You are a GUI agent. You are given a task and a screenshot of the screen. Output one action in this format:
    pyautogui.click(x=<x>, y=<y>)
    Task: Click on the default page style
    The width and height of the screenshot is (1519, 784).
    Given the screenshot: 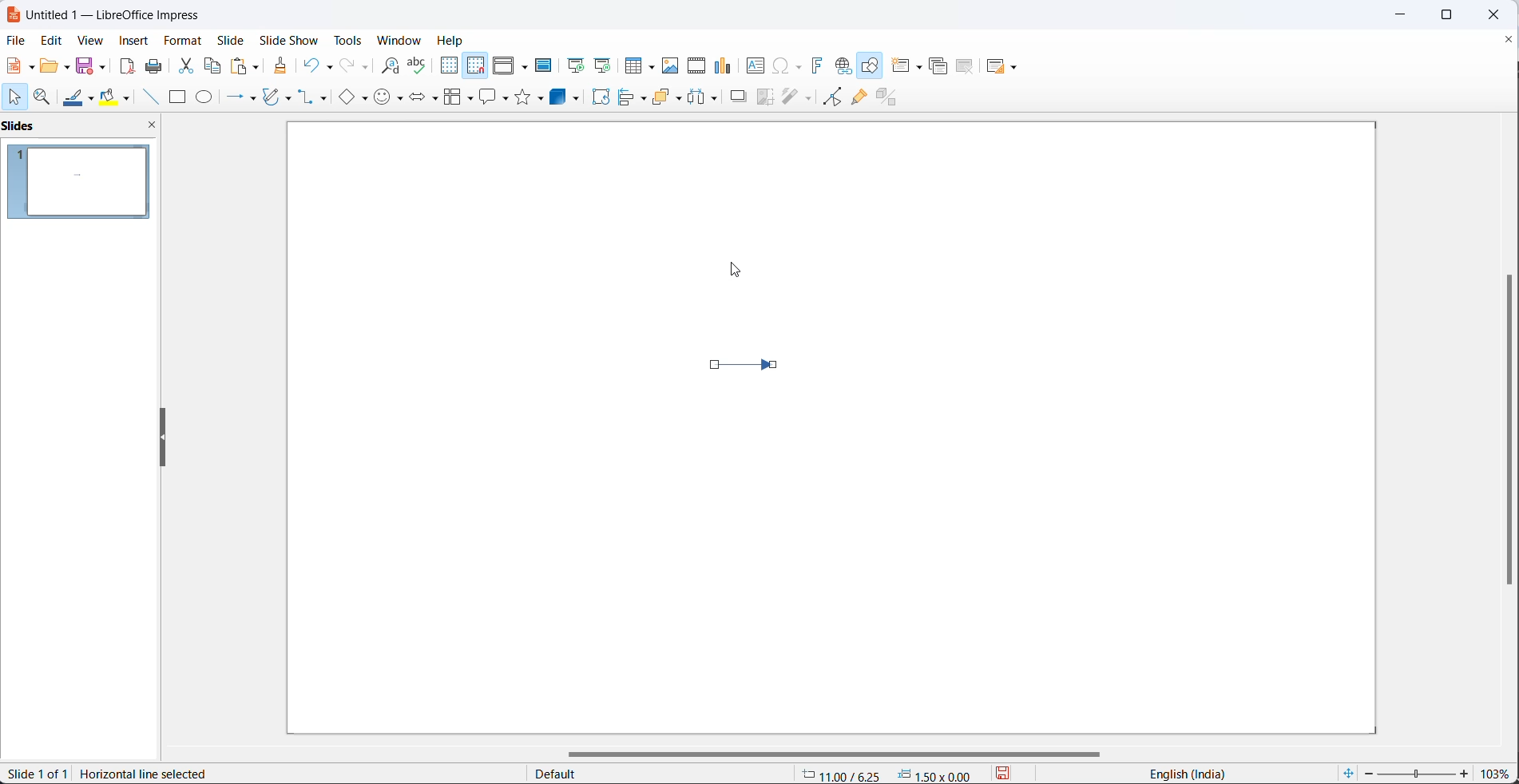 What is the action you would take?
    pyautogui.click(x=652, y=774)
    